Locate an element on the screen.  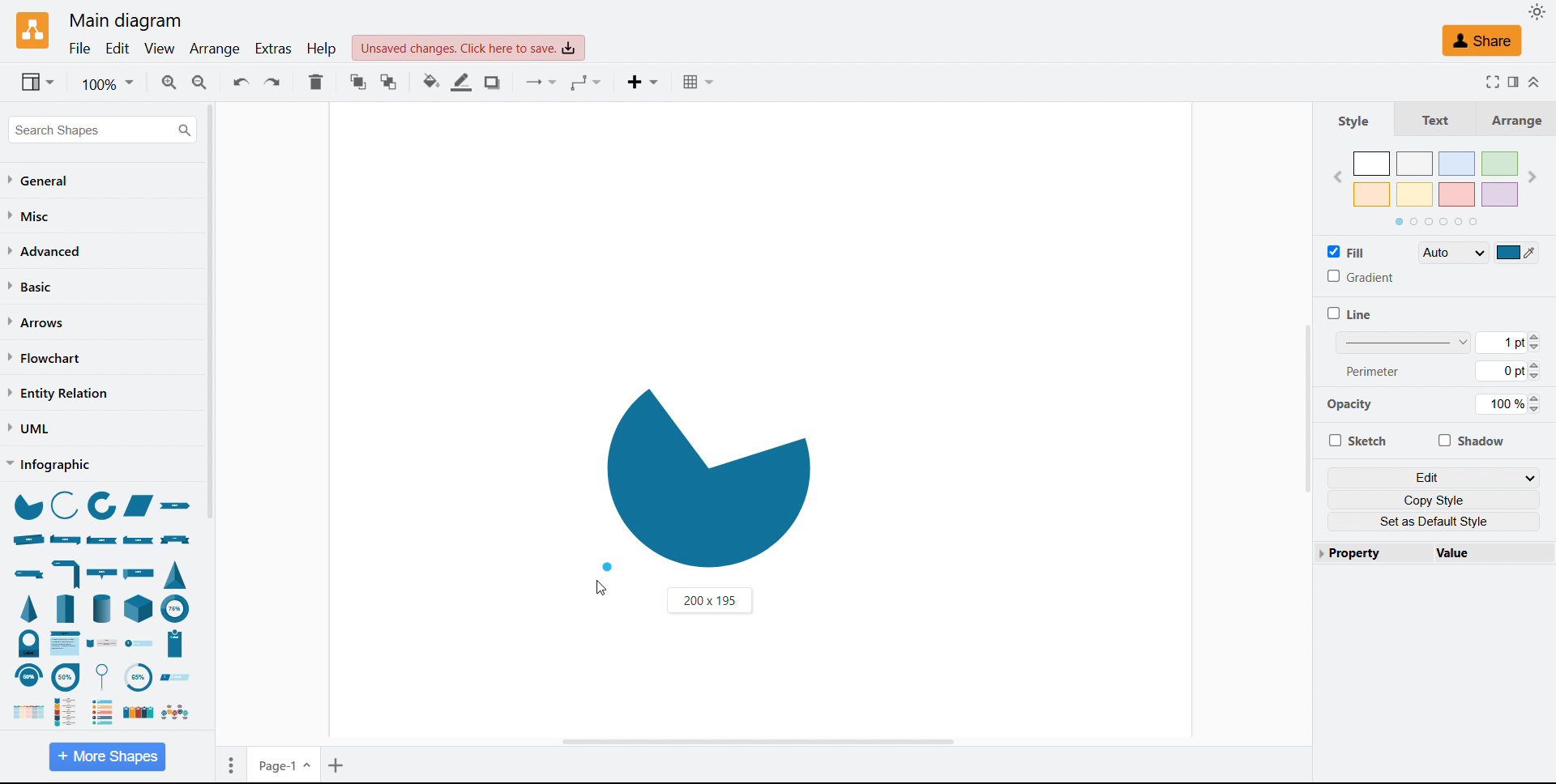
Title of the diagram  is located at coordinates (124, 21).